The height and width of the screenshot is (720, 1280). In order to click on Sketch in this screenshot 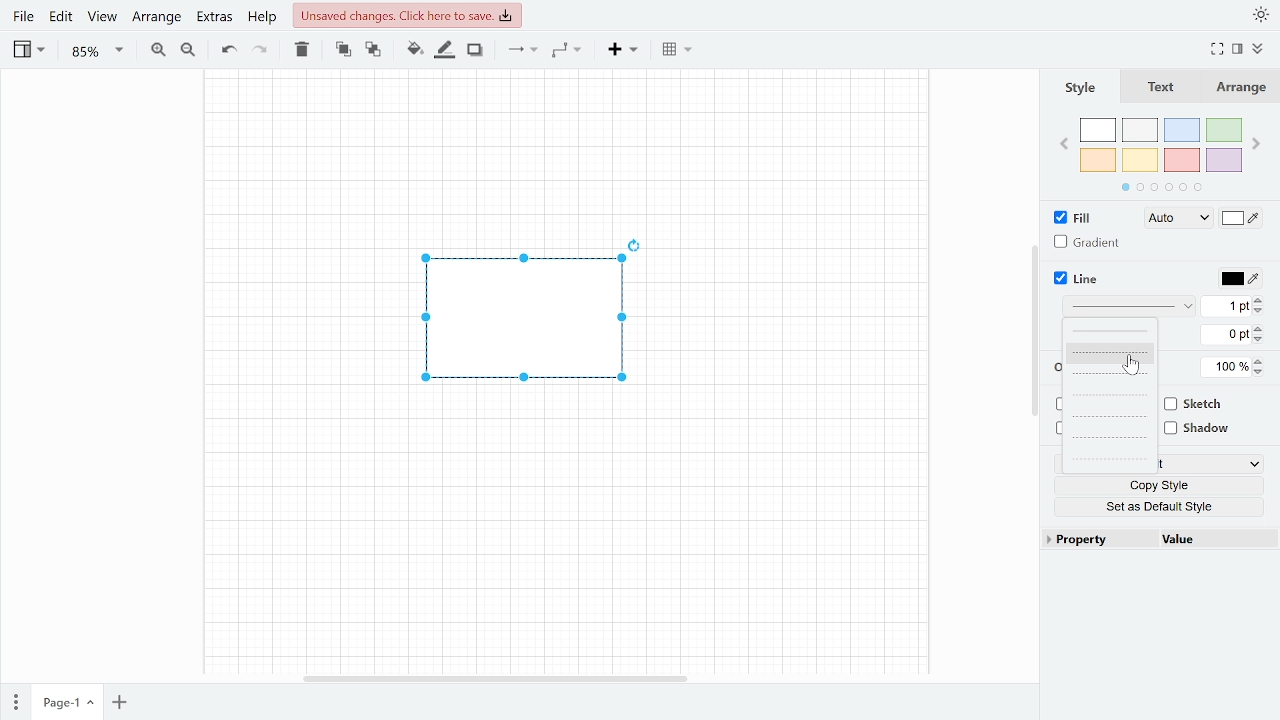, I will do `click(1201, 405)`.